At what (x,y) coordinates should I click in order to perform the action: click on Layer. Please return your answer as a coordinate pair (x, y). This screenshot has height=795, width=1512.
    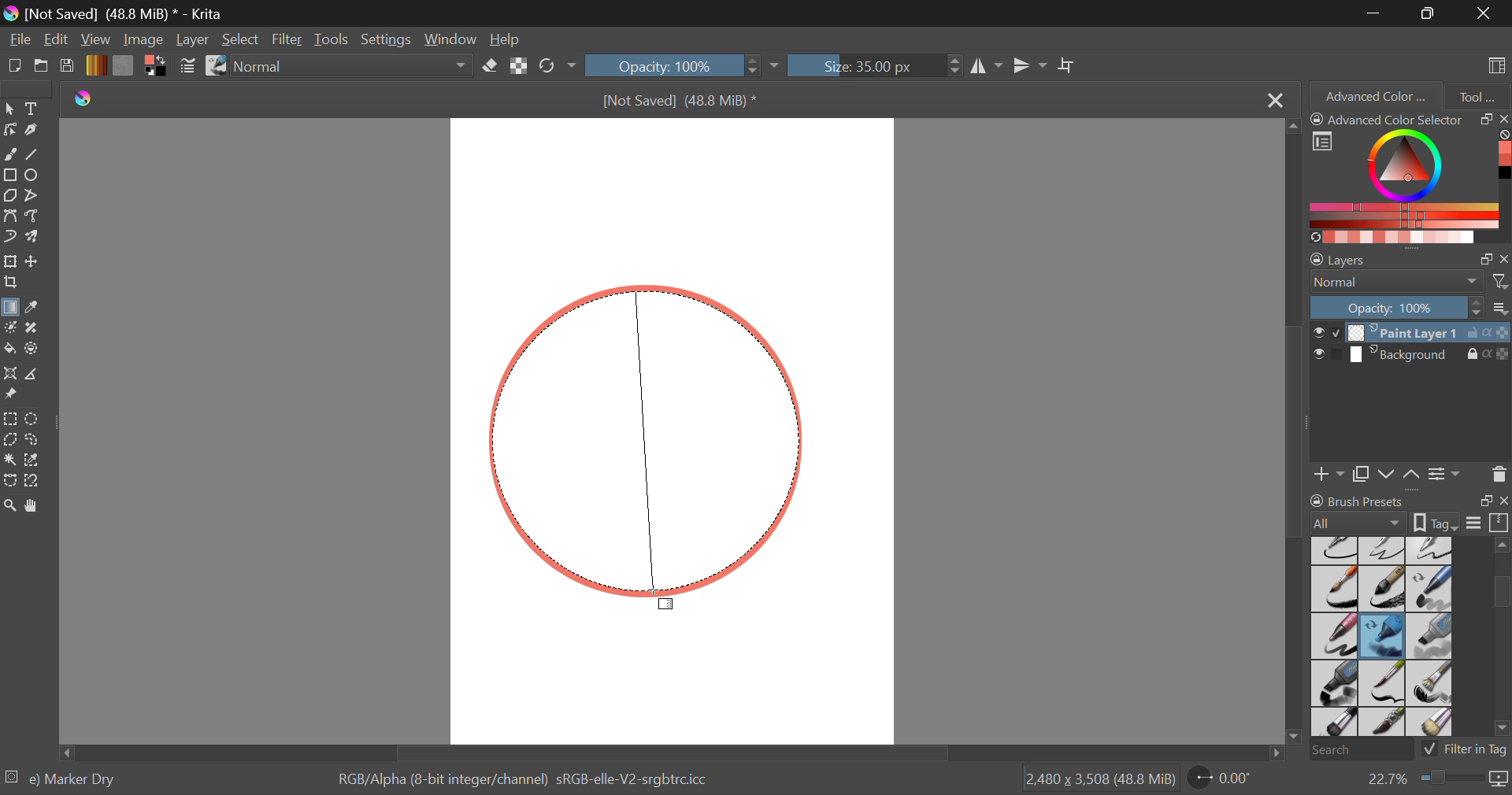
    Looking at the image, I should click on (192, 39).